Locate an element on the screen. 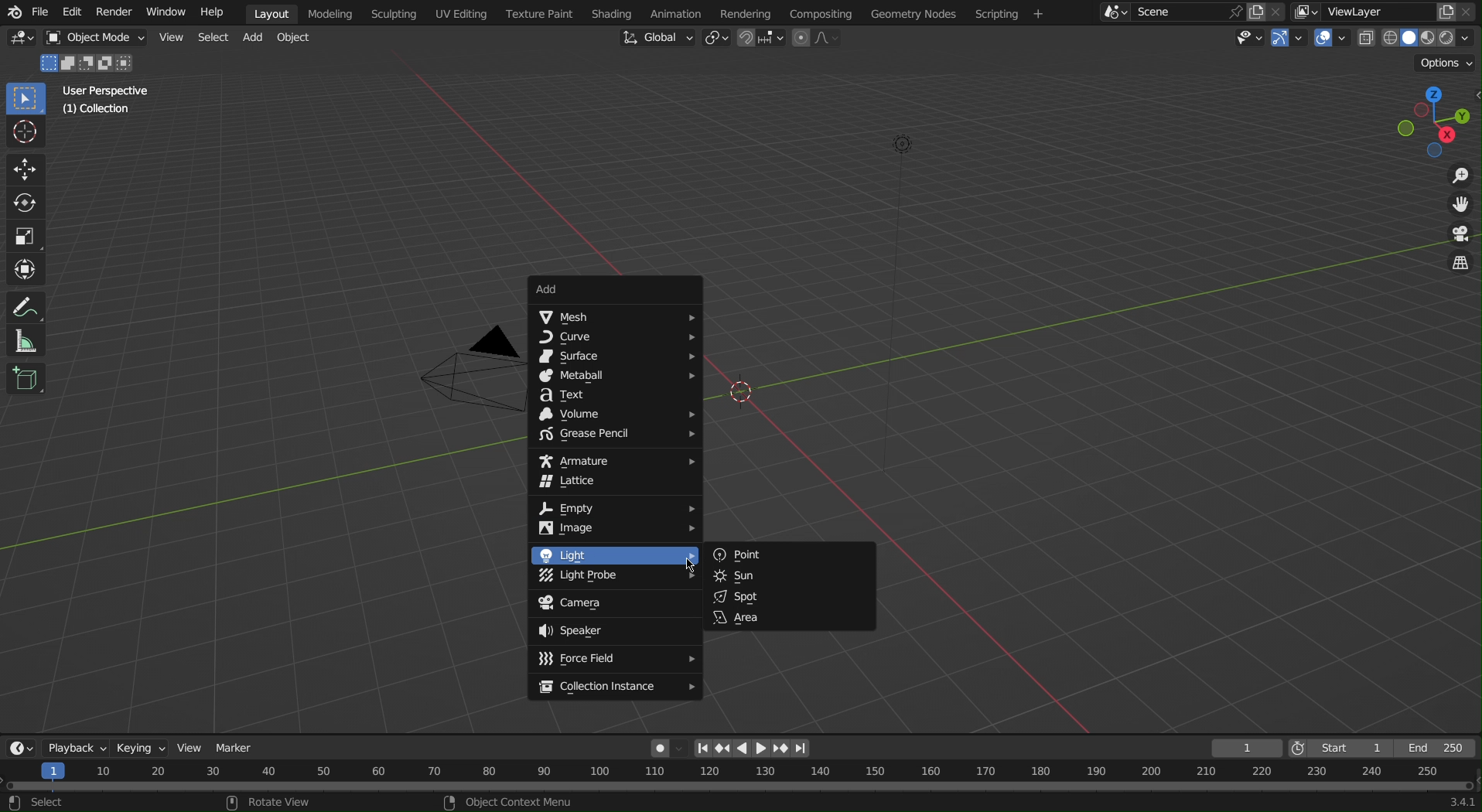 The image size is (1482, 812). play is located at coordinates (761, 749).